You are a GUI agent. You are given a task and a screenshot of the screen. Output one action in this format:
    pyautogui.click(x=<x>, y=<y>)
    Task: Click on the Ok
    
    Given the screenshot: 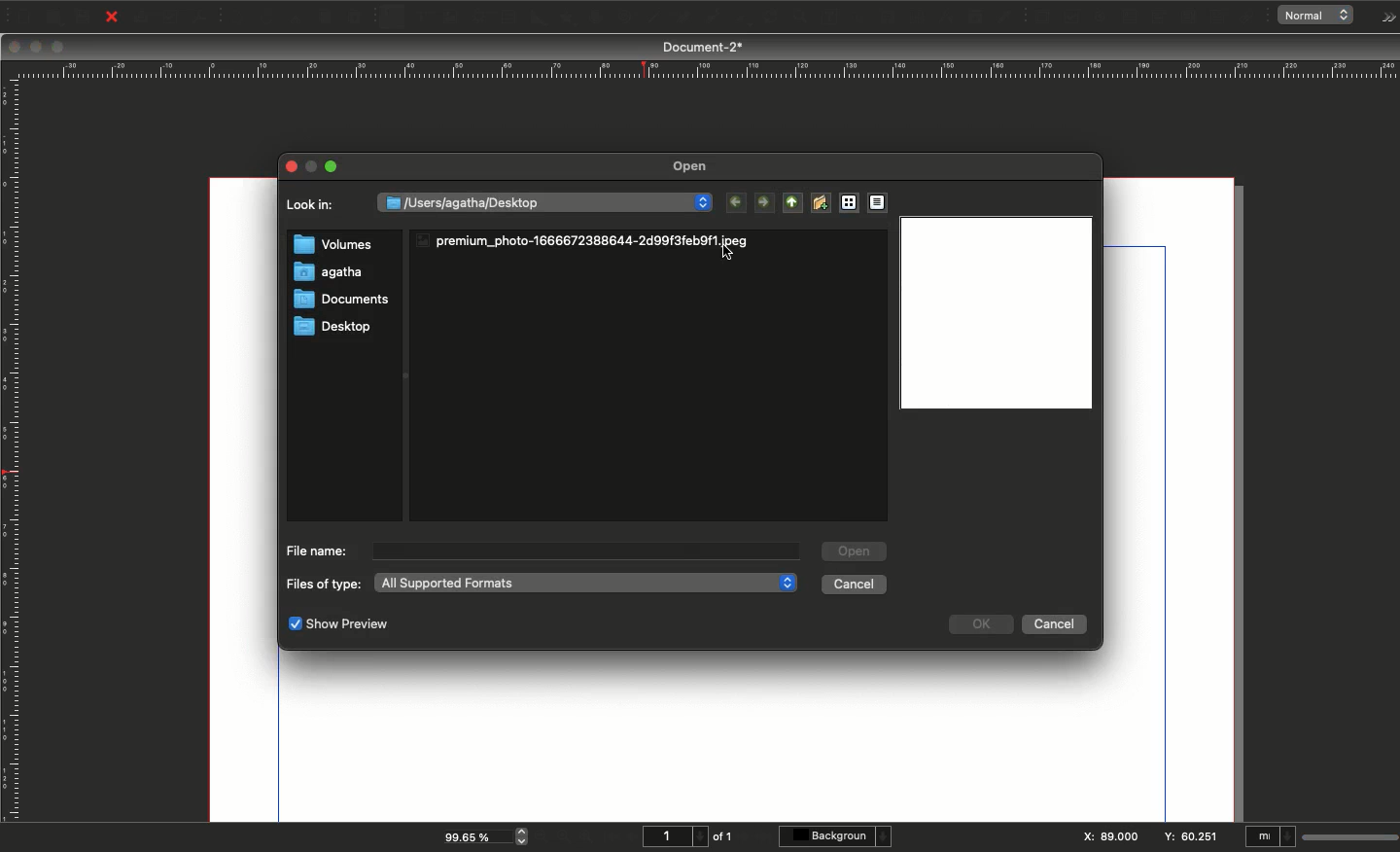 What is the action you would take?
    pyautogui.click(x=982, y=623)
    